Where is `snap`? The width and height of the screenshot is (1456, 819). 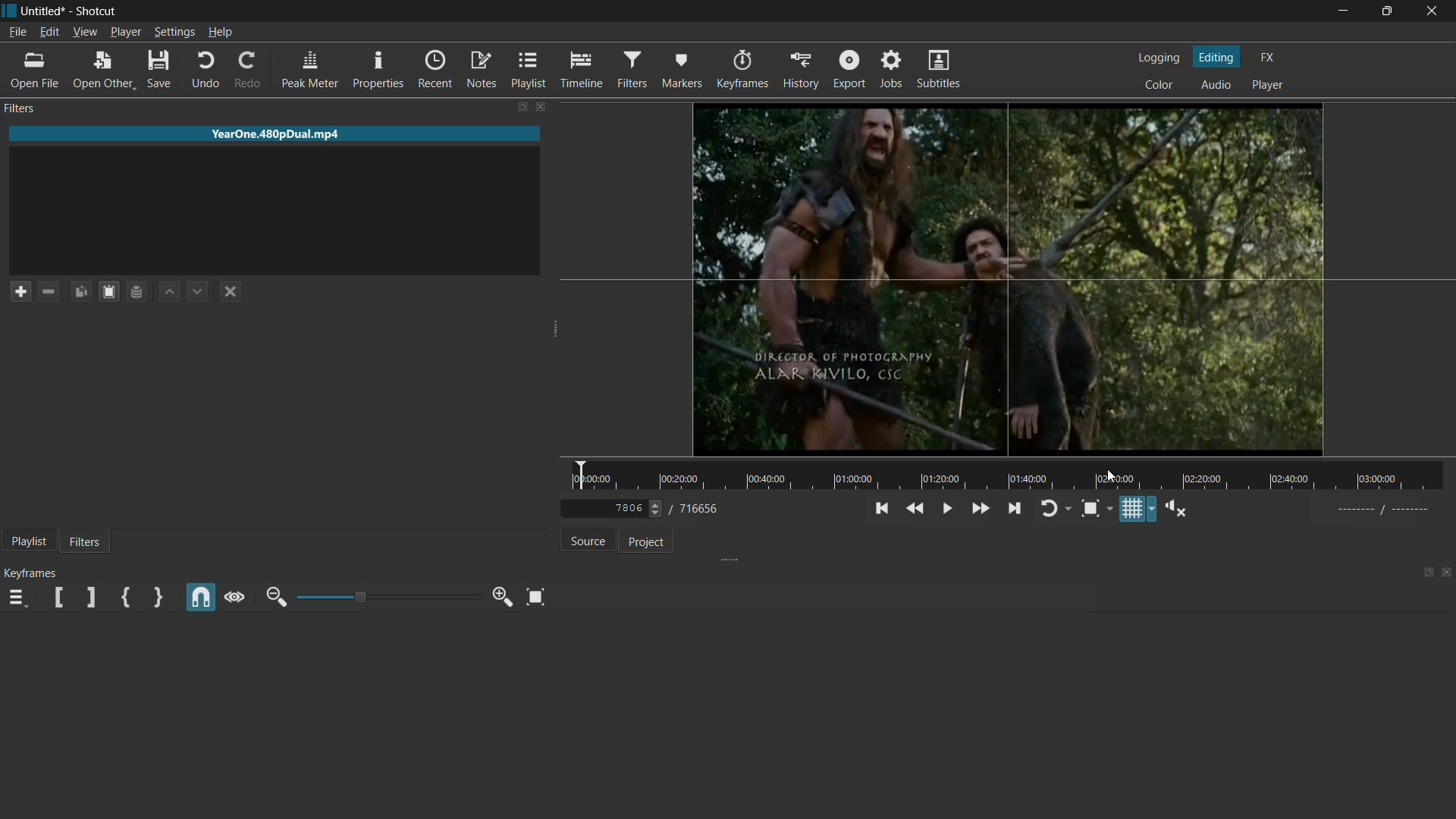 snap is located at coordinates (199, 598).